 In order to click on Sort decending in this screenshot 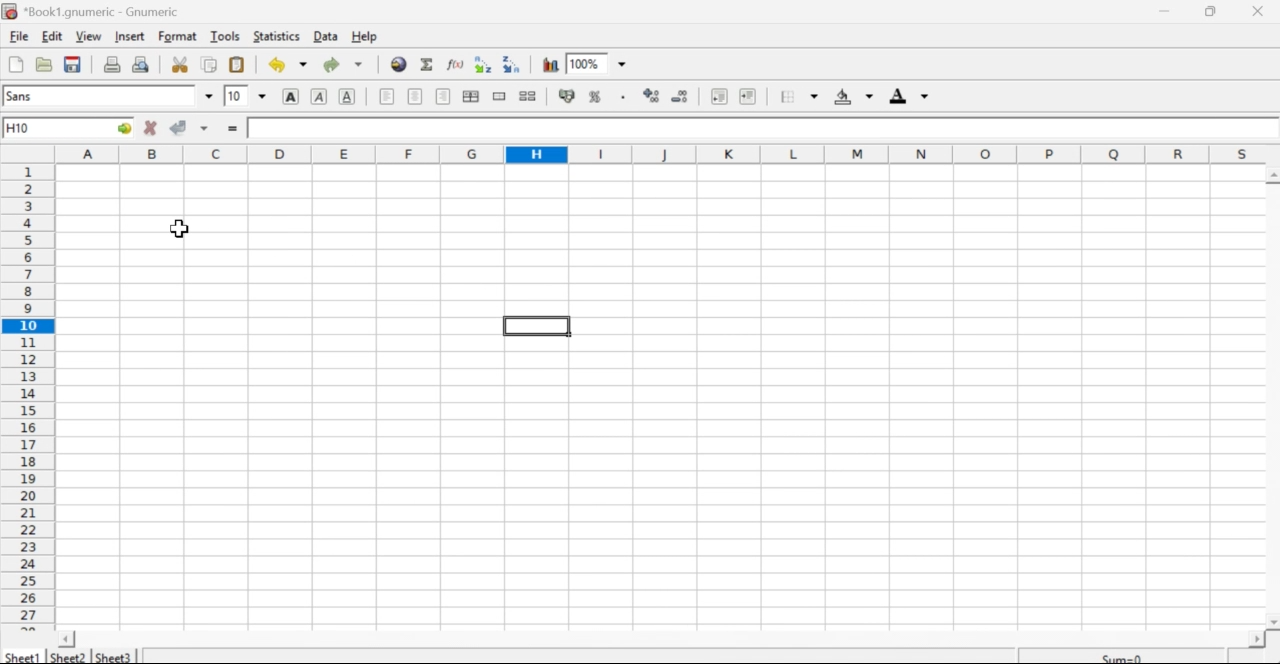, I will do `click(514, 64)`.